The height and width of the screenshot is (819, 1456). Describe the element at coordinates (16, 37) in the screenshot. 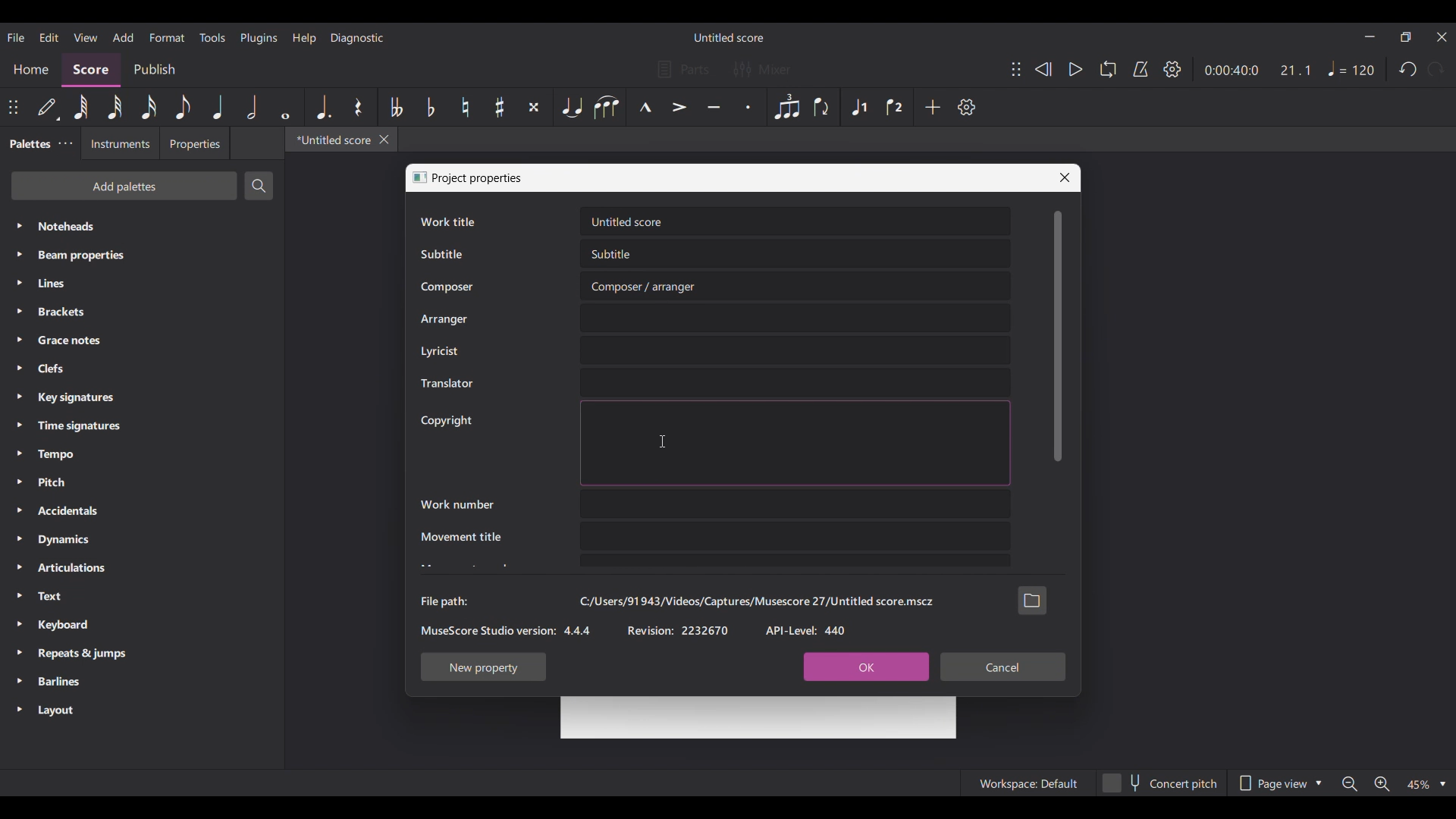

I see `File menu` at that location.